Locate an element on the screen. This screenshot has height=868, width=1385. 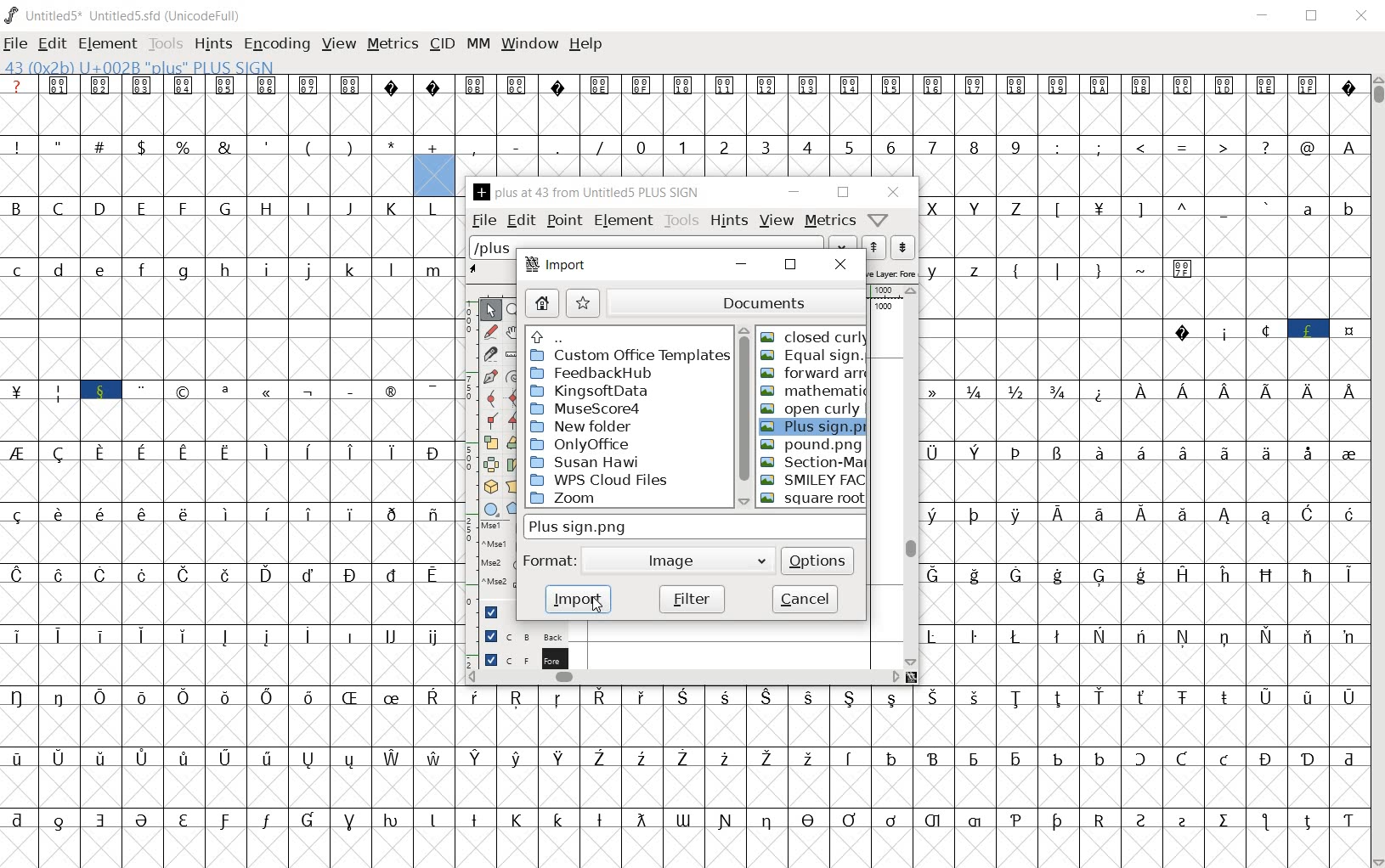
 is located at coordinates (412, 656).